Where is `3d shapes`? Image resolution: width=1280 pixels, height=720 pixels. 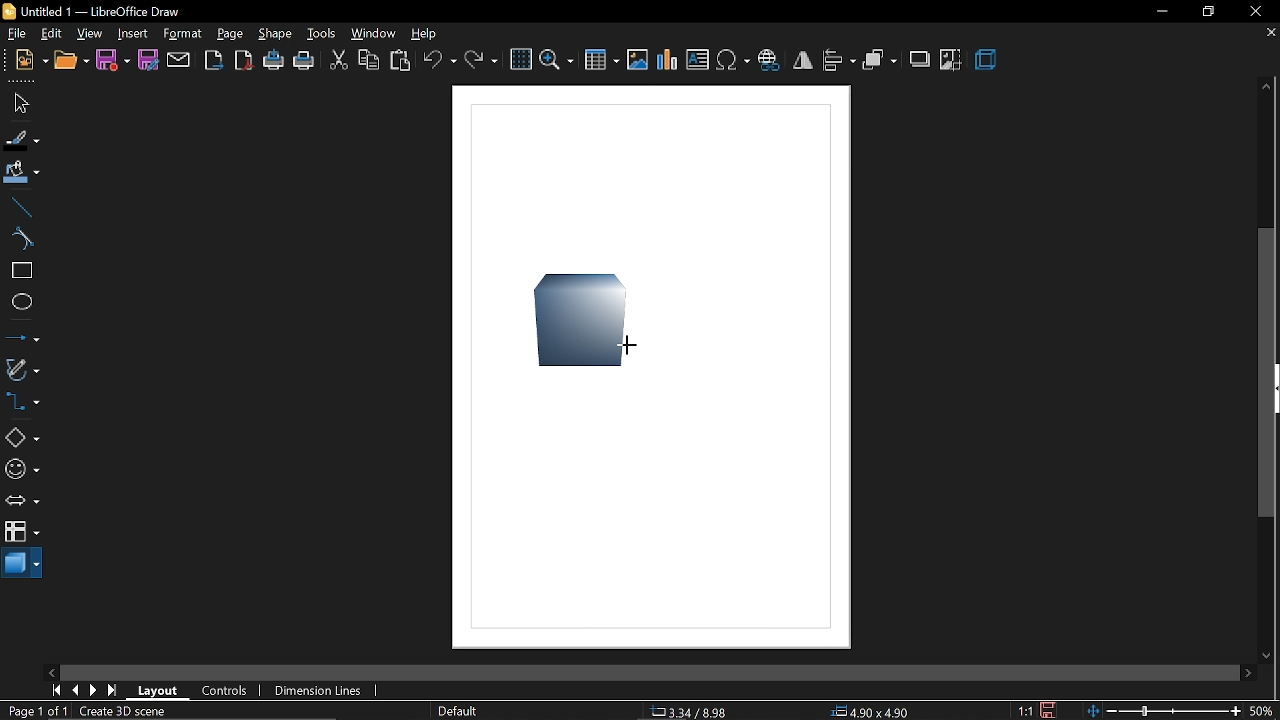 3d shapes is located at coordinates (25, 567).